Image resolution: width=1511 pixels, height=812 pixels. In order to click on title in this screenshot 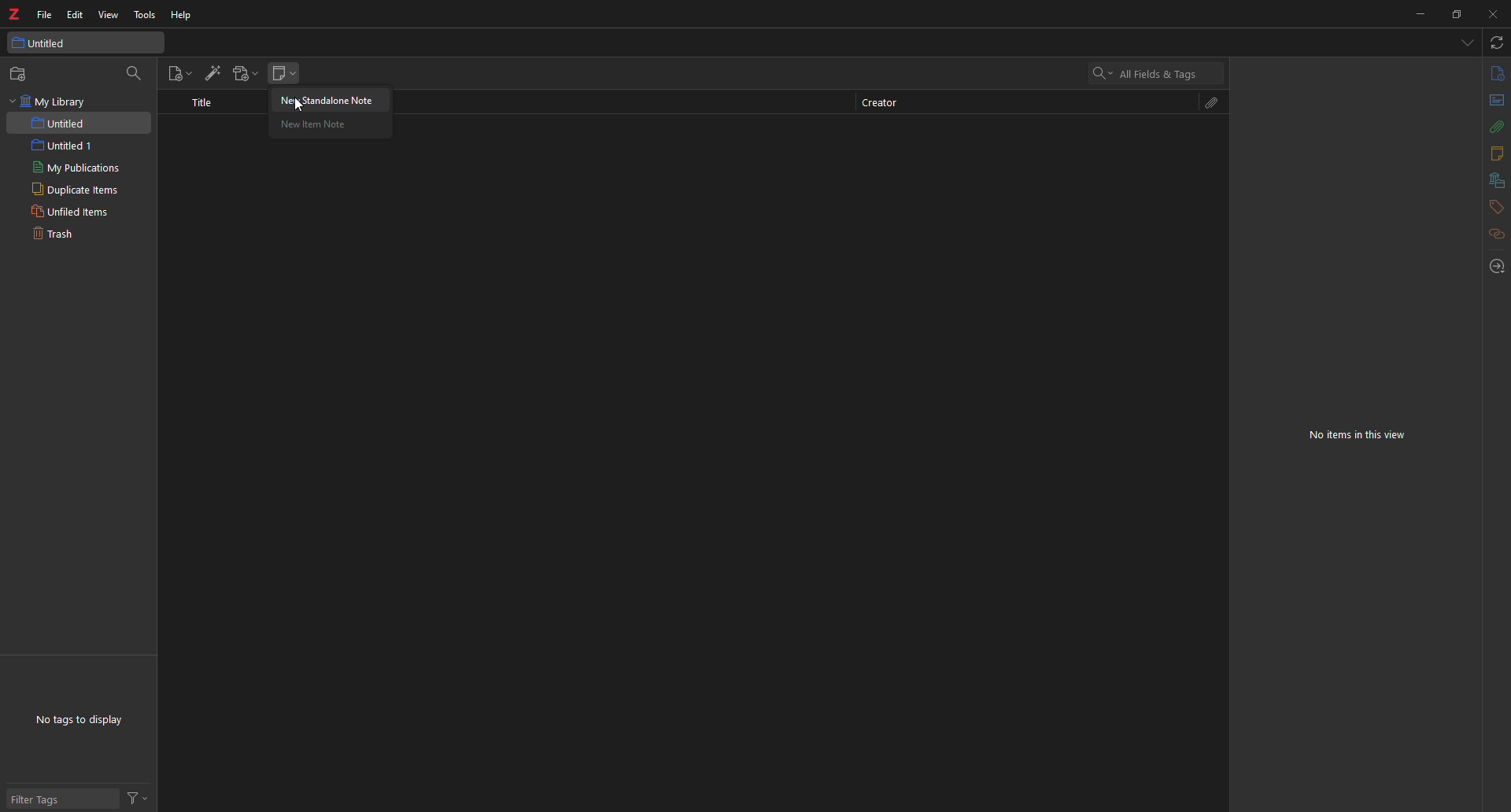, I will do `click(209, 108)`.